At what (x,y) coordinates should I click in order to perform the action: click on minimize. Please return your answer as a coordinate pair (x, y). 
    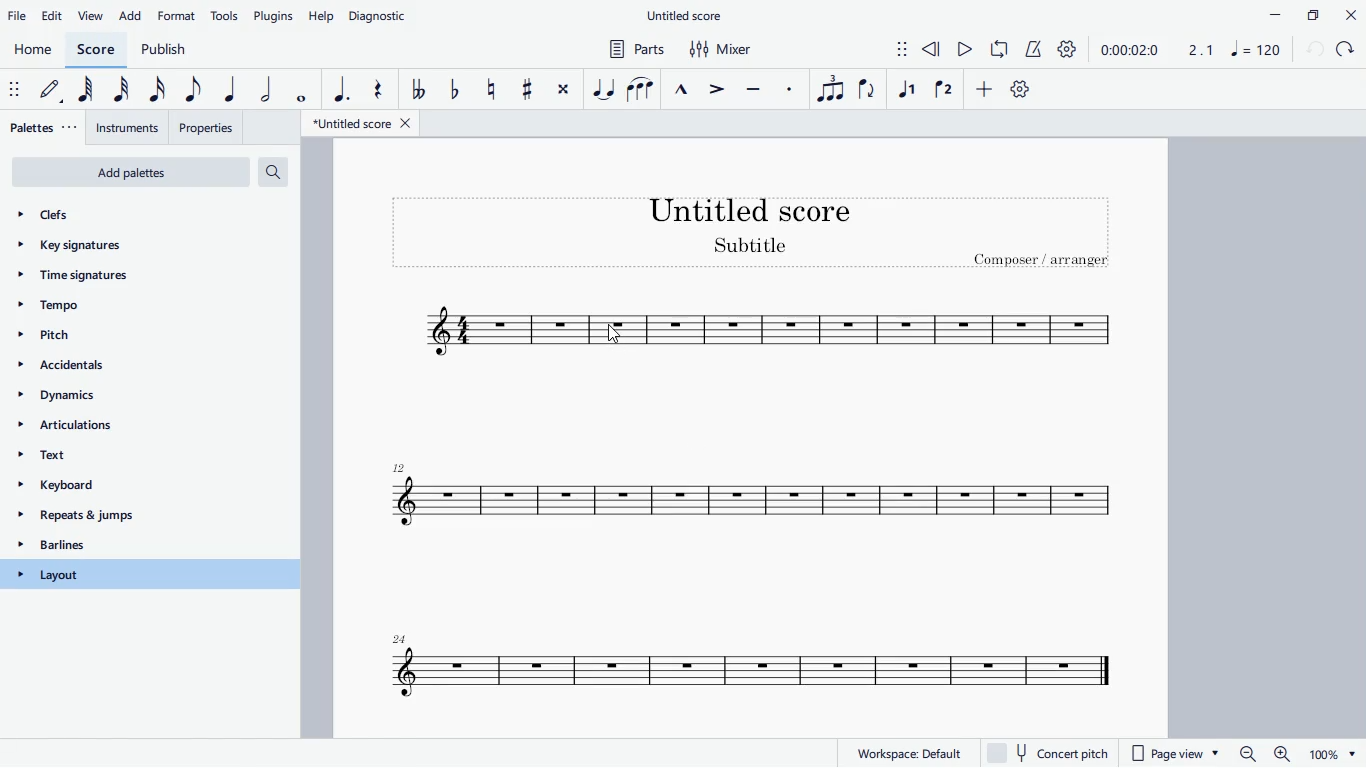
    Looking at the image, I should click on (1268, 14).